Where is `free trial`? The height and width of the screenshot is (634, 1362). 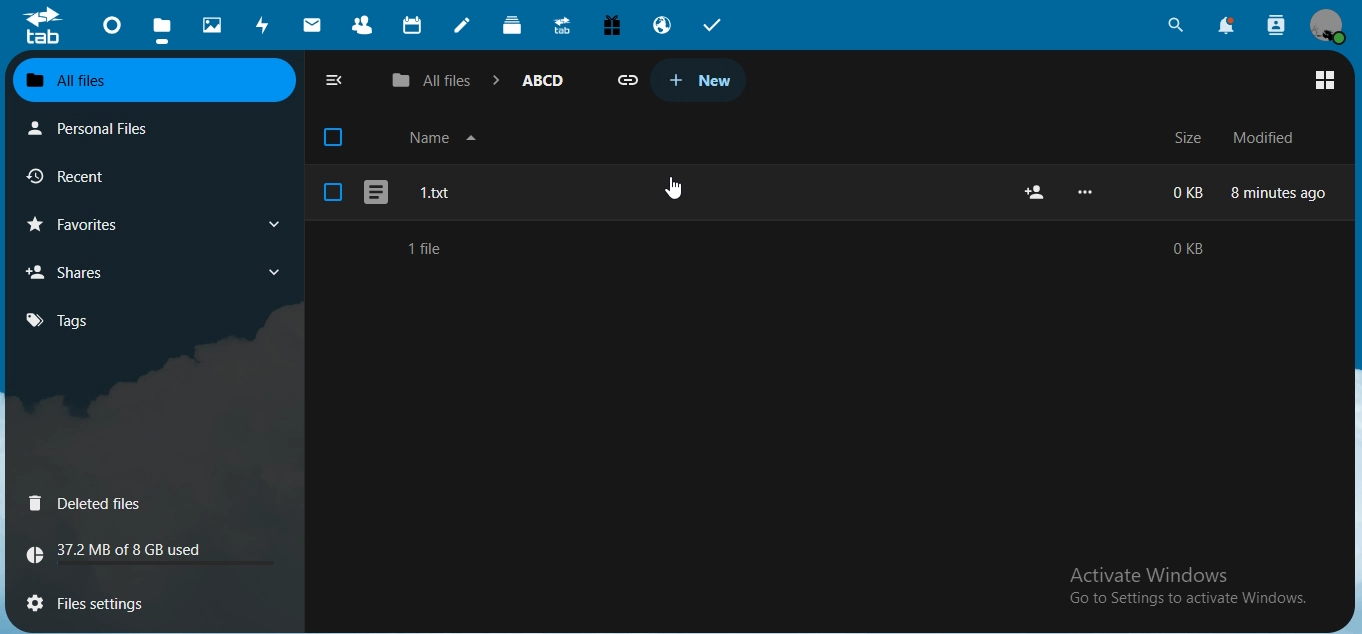
free trial is located at coordinates (614, 24).